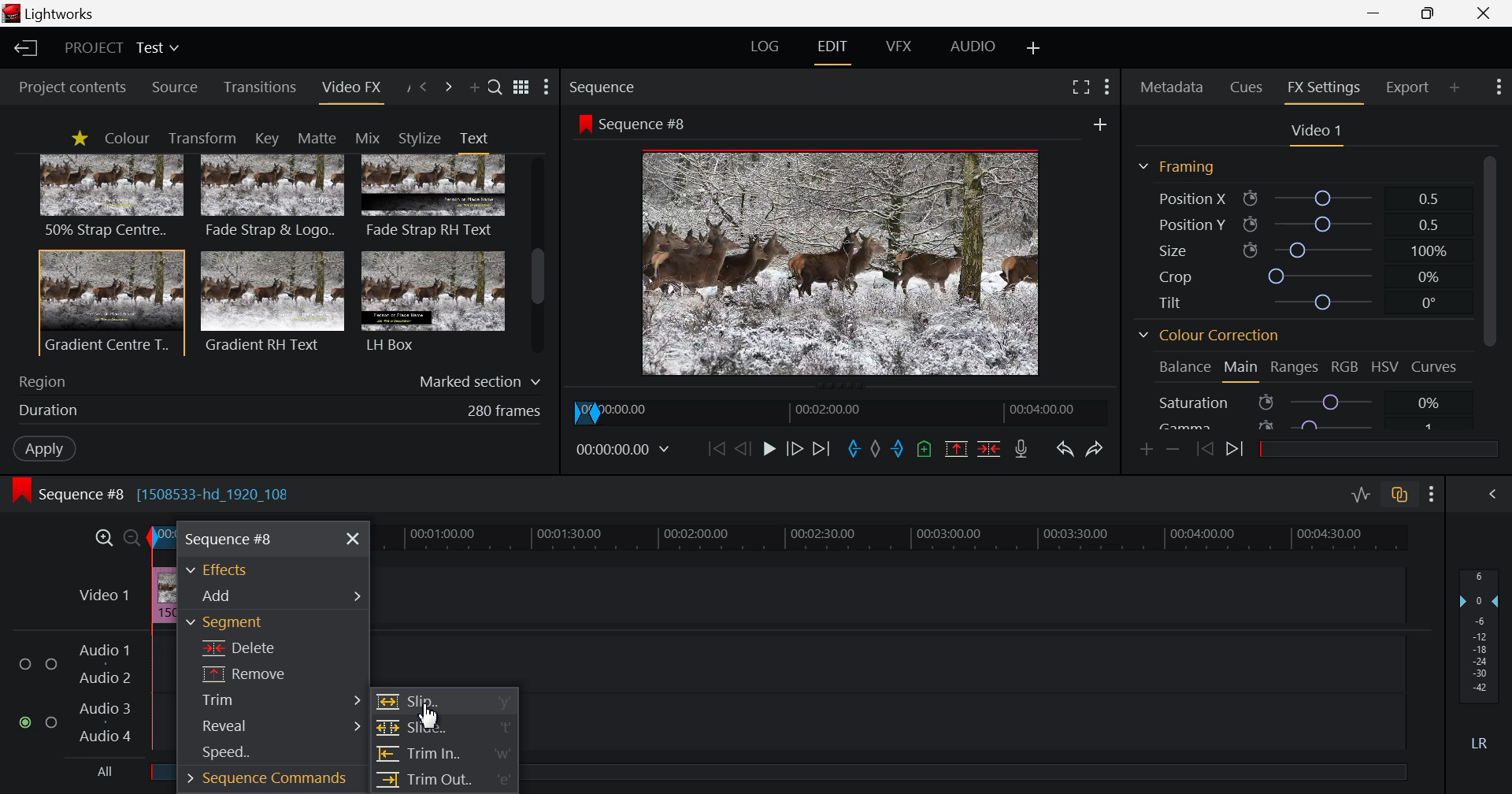 The width and height of the screenshot is (1512, 794). Describe the element at coordinates (1106, 85) in the screenshot. I see `Settings` at that location.